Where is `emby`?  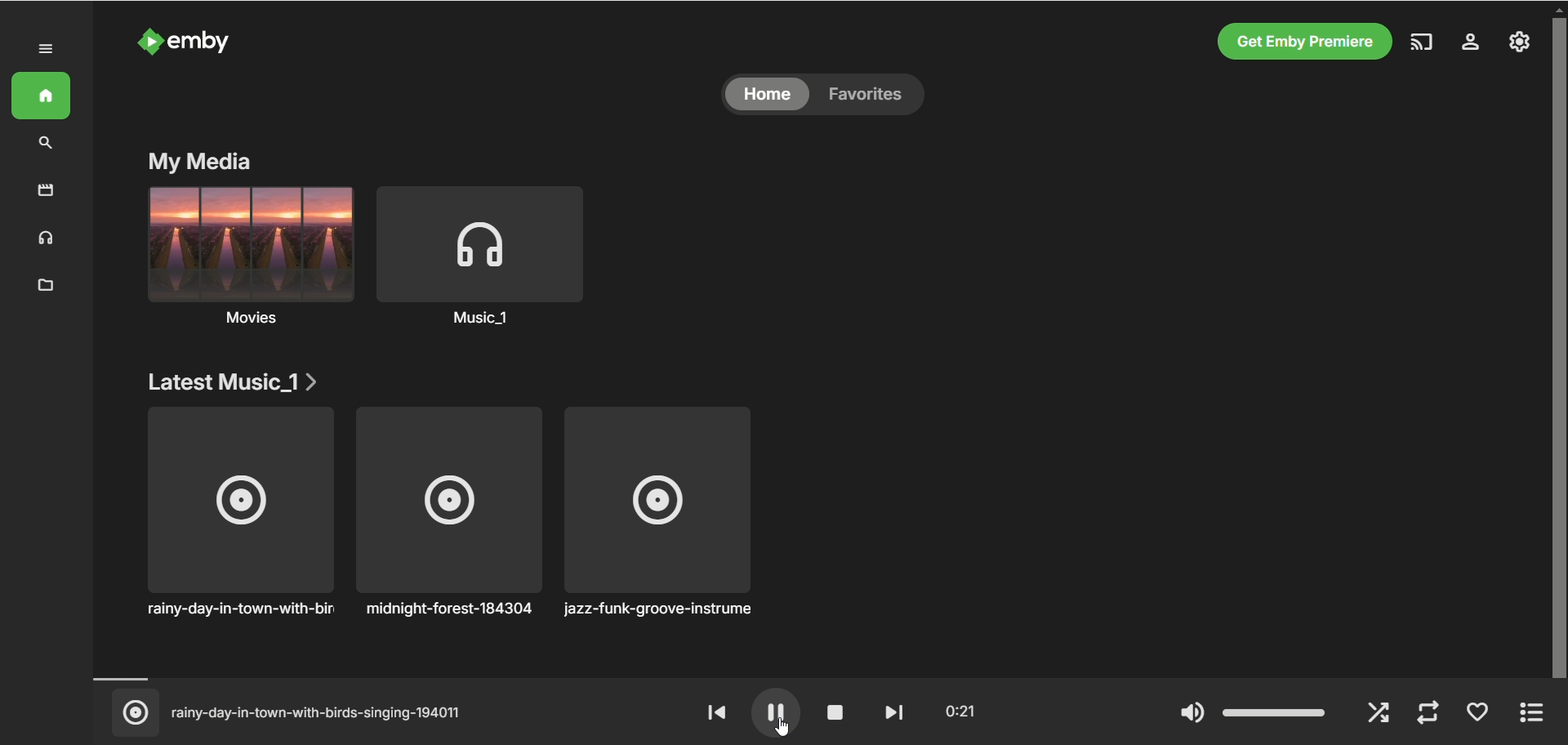 emby is located at coordinates (205, 42).